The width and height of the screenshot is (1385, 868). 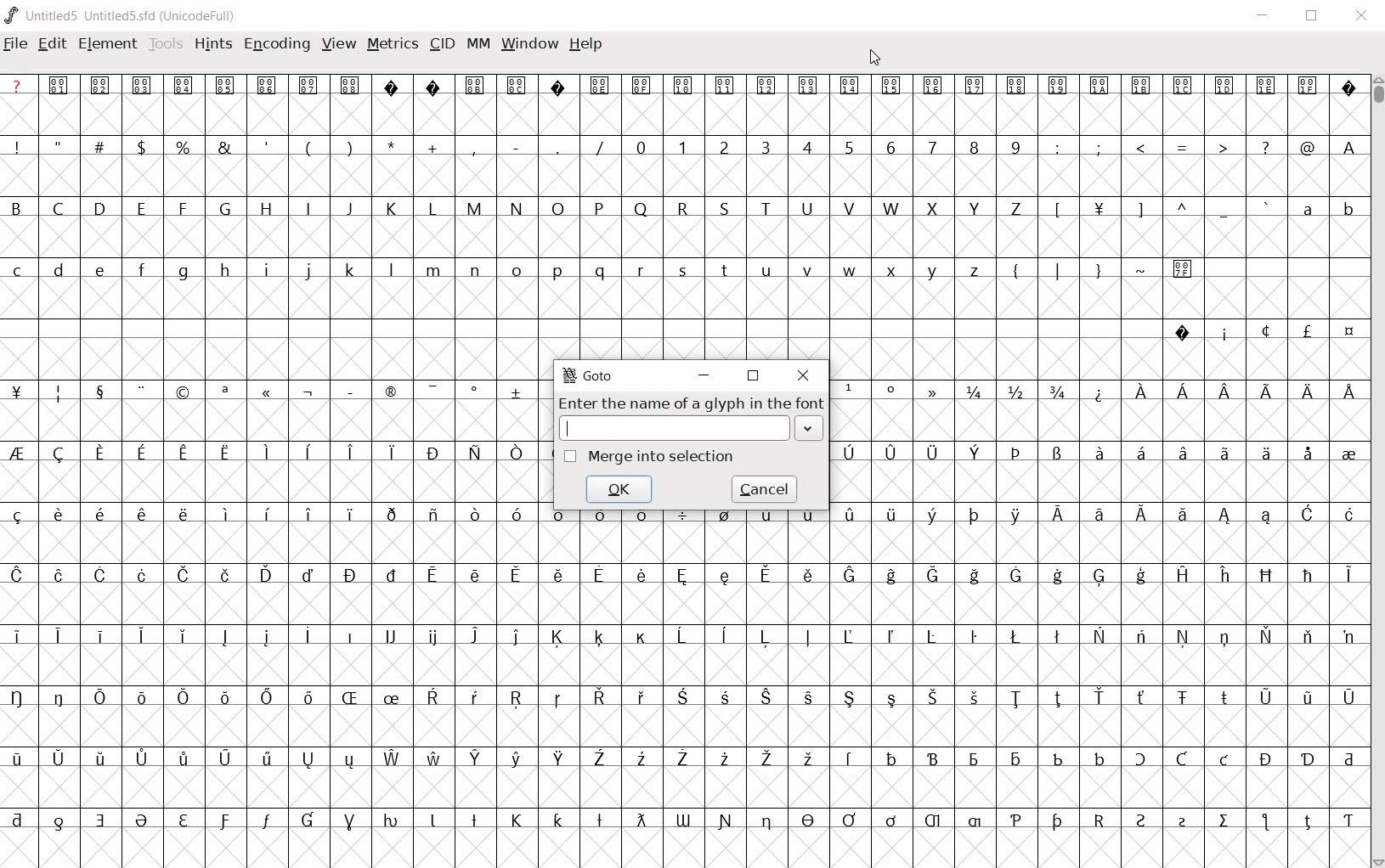 I want to click on x, so click(x=893, y=270).